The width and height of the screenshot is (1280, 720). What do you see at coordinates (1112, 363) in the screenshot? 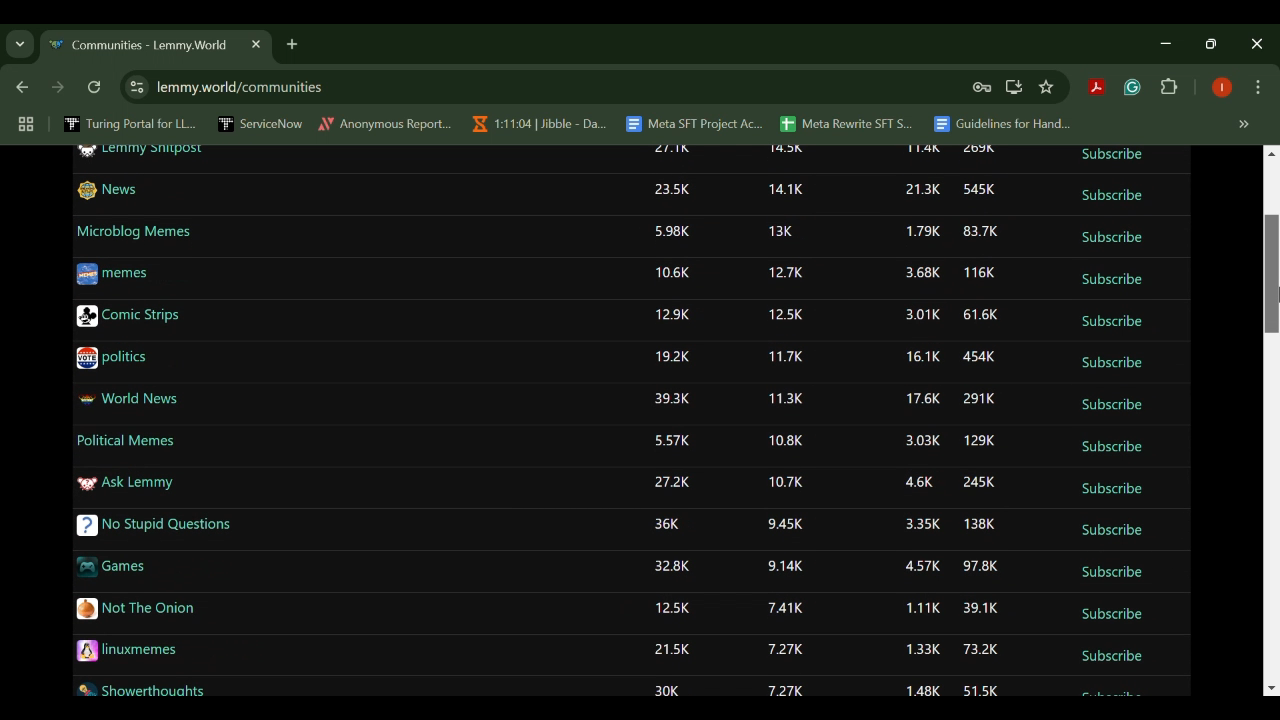
I see `Subscribe` at bounding box center [1112, 363].